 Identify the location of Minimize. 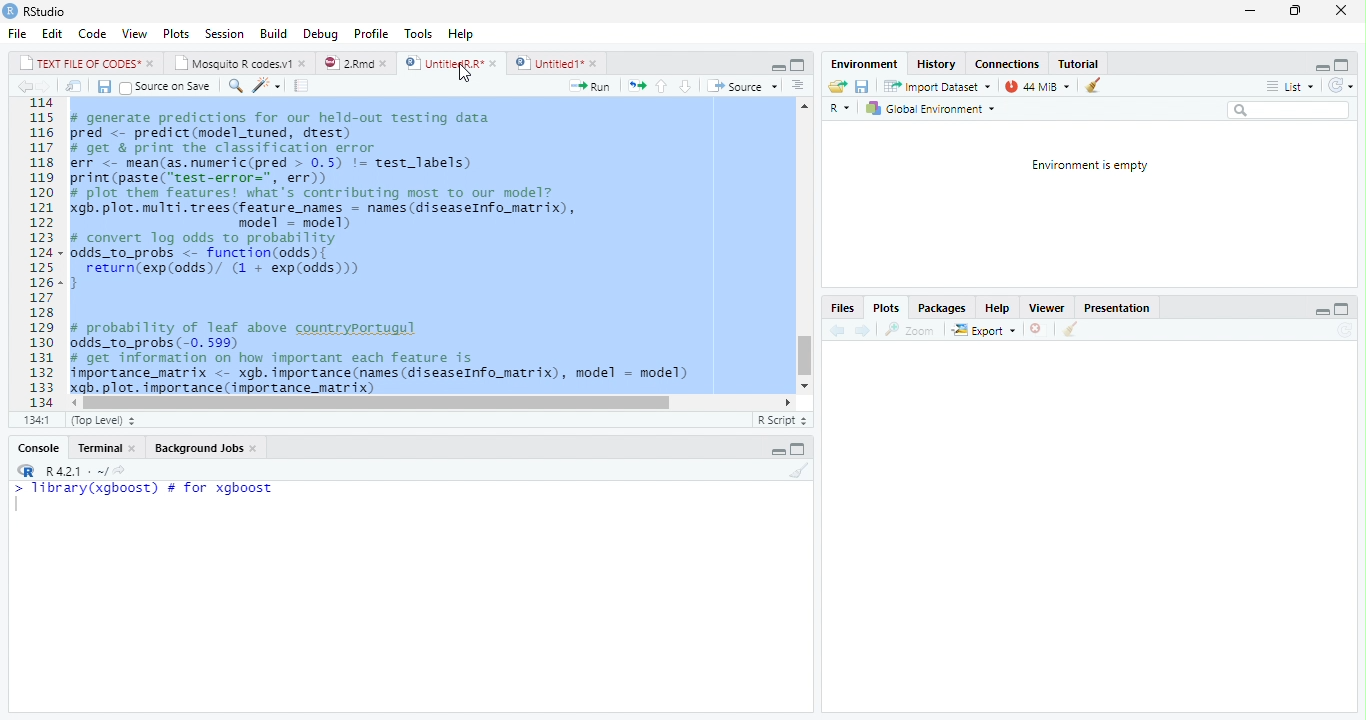
(779, 451).